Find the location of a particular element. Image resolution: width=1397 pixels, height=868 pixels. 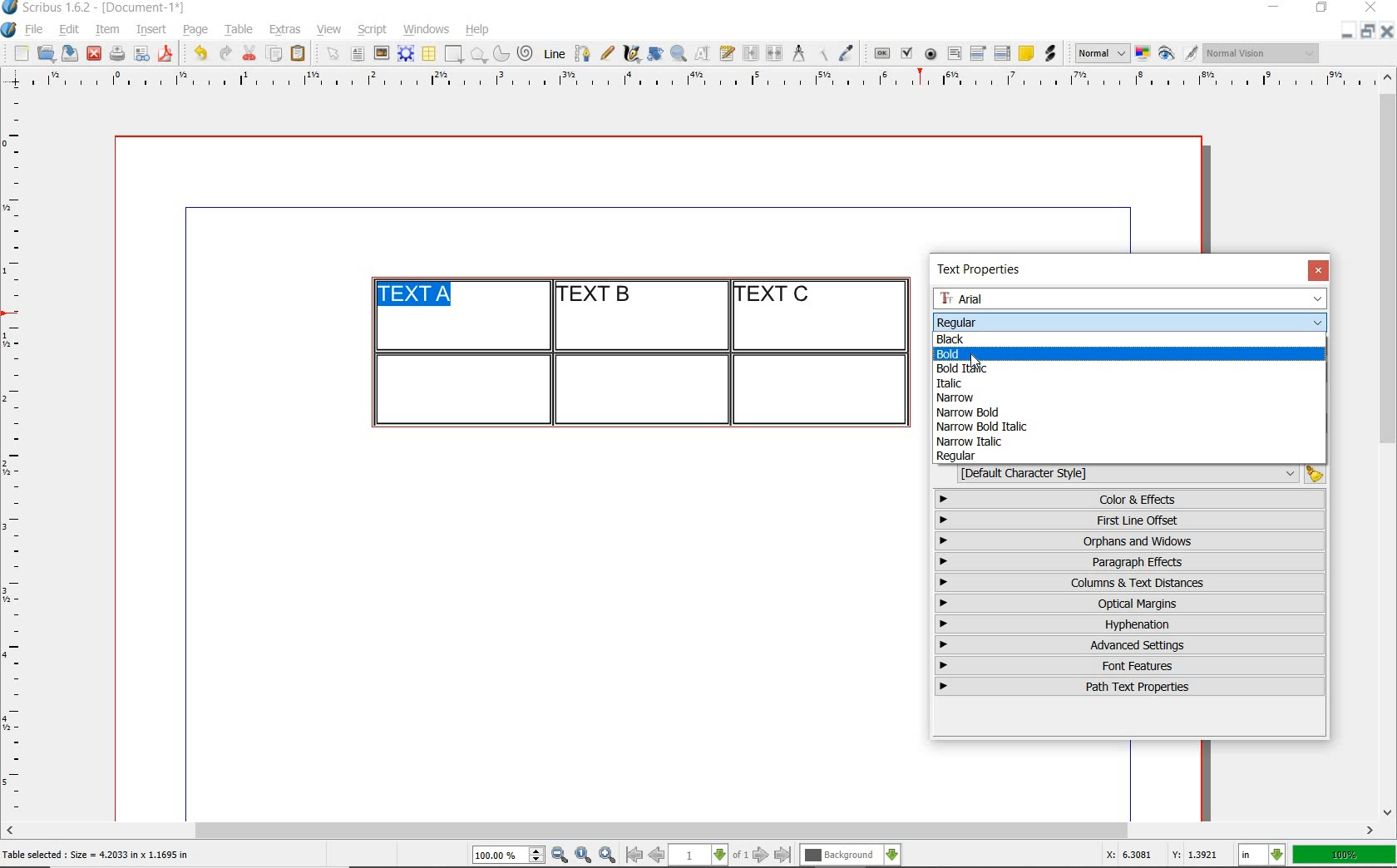

go to previous page is located at coordinates (656, 856).